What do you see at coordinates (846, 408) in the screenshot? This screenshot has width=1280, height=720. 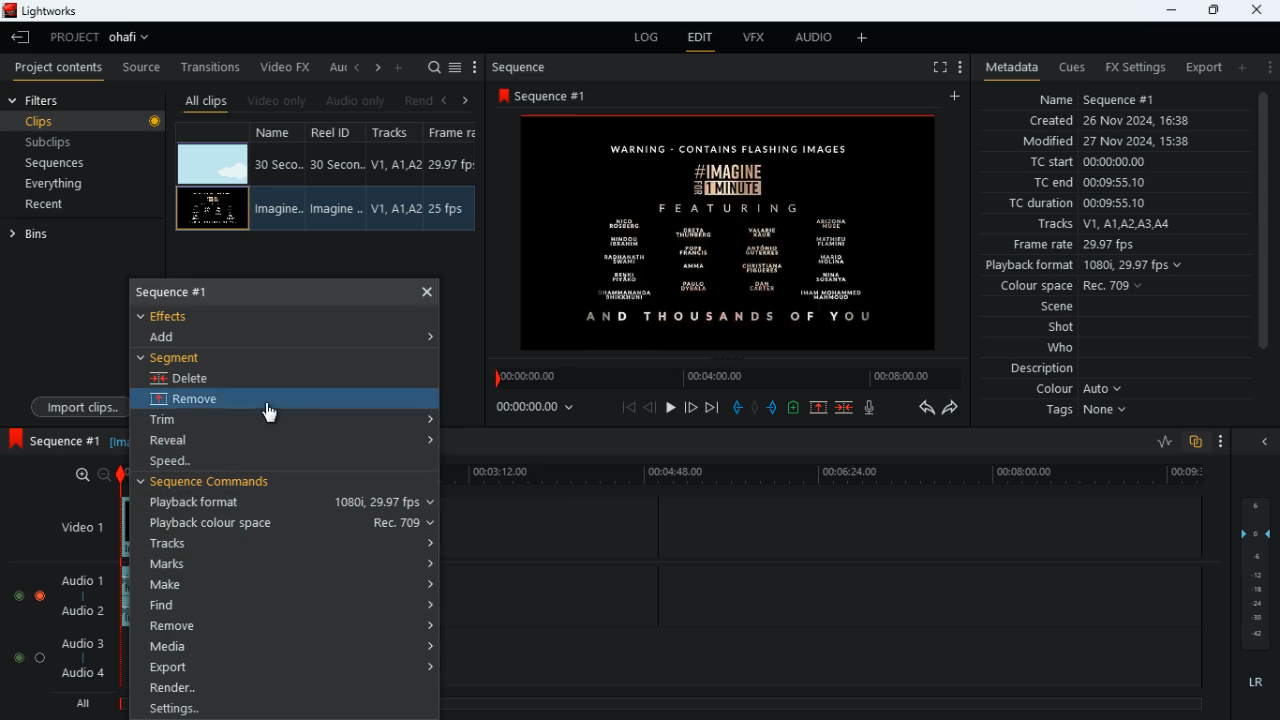 I see `merge` at bounding box center [846, 408].